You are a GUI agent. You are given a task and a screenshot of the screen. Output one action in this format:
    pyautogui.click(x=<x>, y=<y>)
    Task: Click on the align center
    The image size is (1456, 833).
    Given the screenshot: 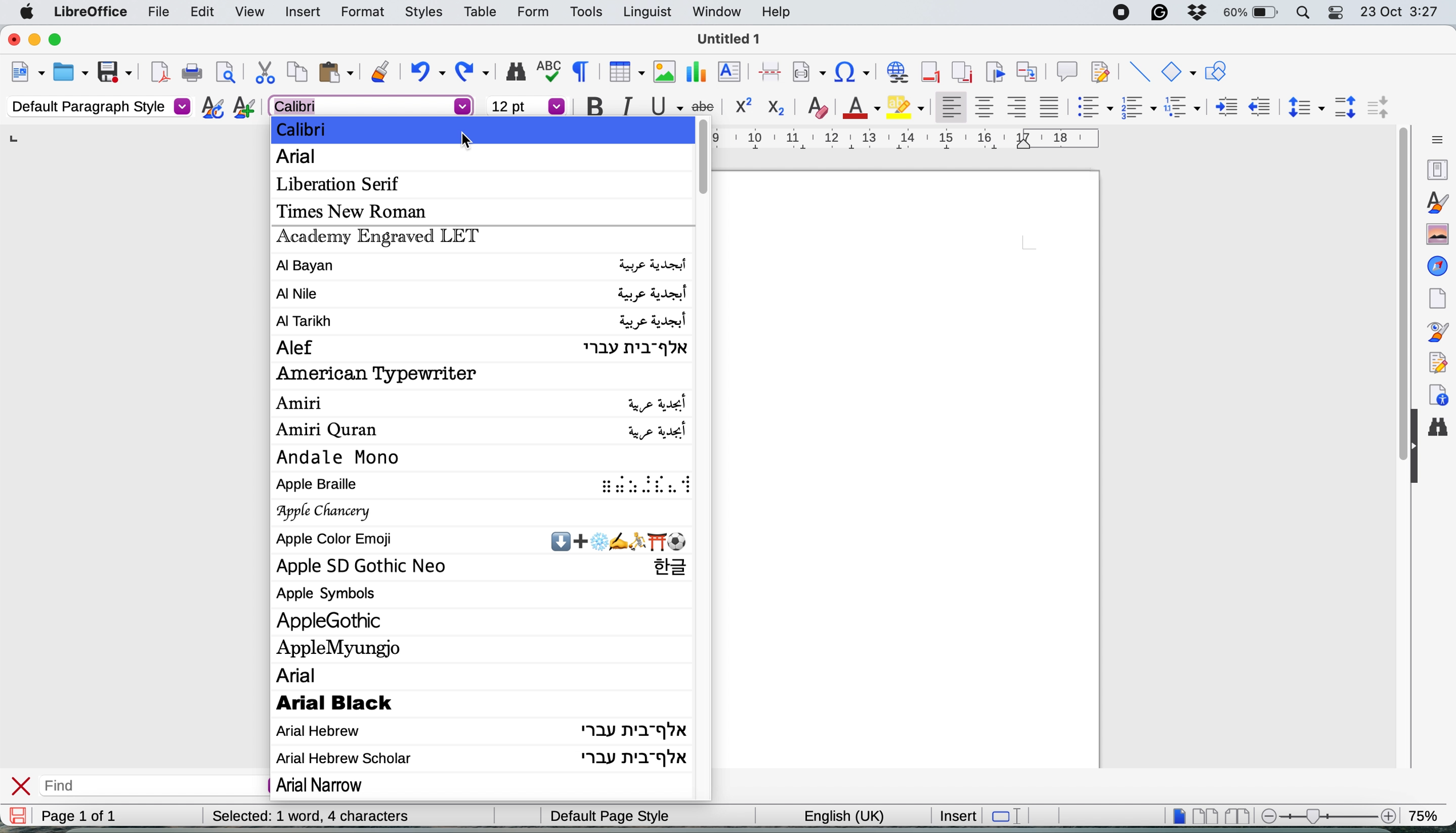 What is the action you would take?
    pyautogui.click(x=985, y=108)
    